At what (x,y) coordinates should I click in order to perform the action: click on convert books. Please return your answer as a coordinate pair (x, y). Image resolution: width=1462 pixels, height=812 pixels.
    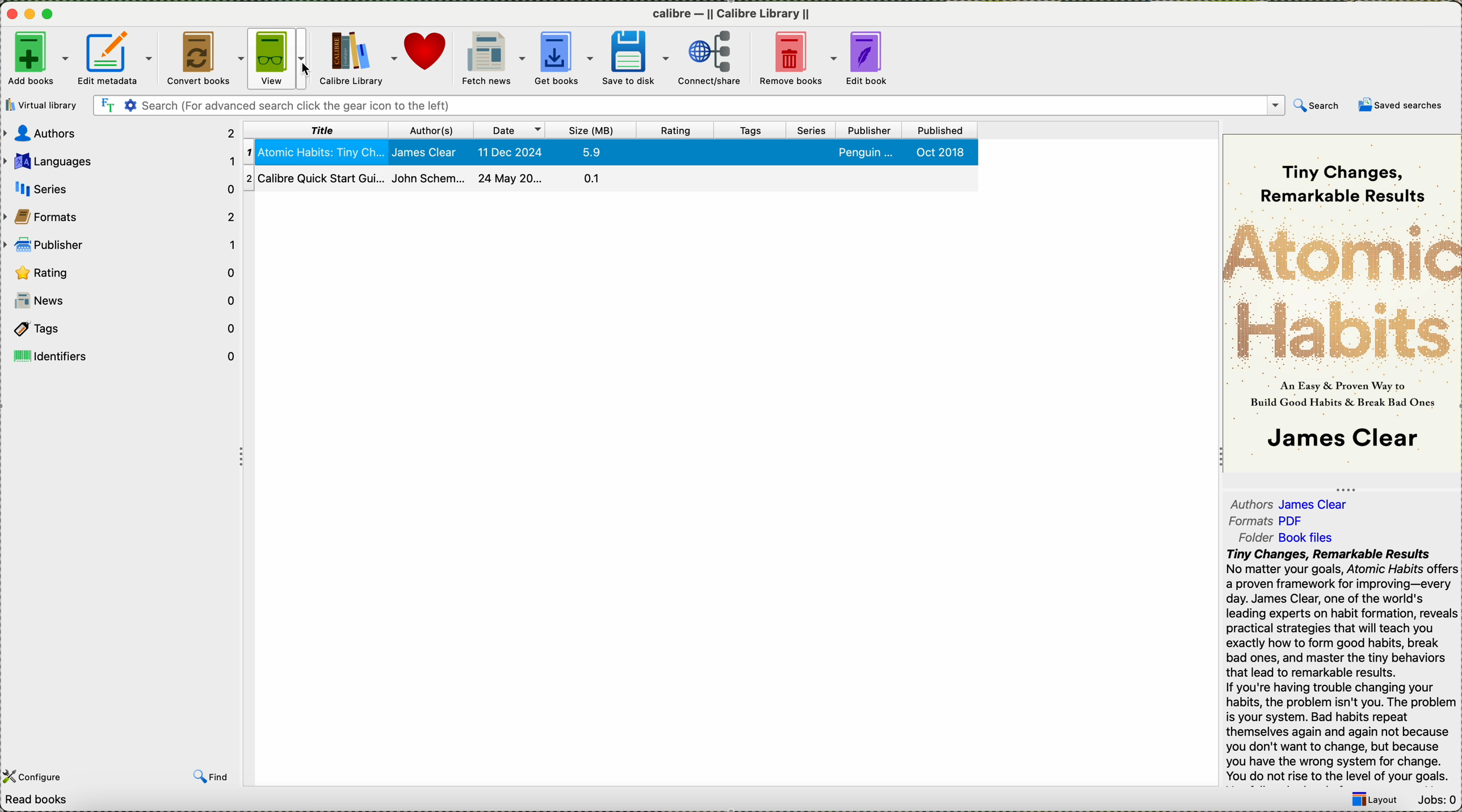
    Looking at the image, I should click on (207, 58).